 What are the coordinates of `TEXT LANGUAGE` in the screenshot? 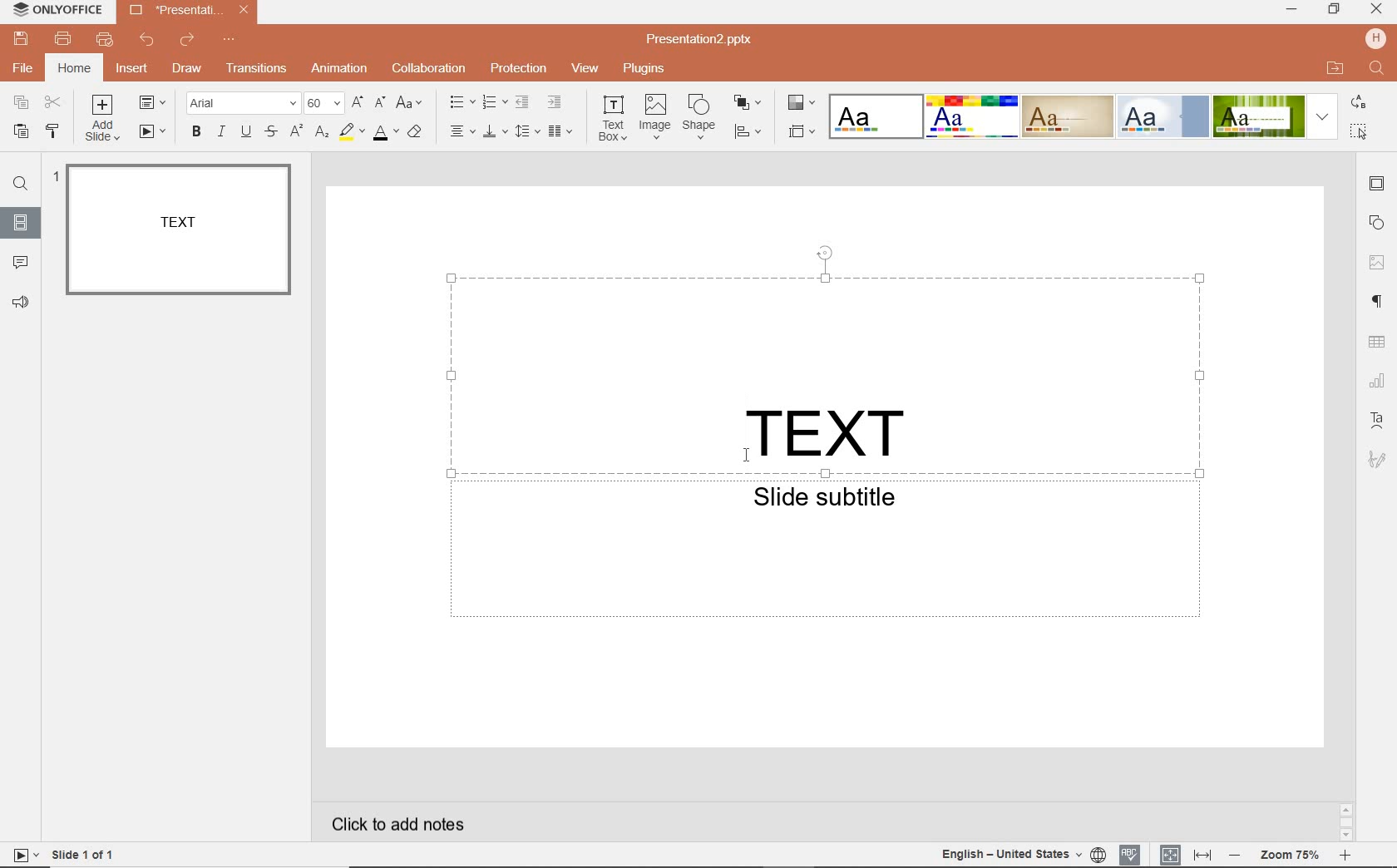 It's located at (1022, 853).